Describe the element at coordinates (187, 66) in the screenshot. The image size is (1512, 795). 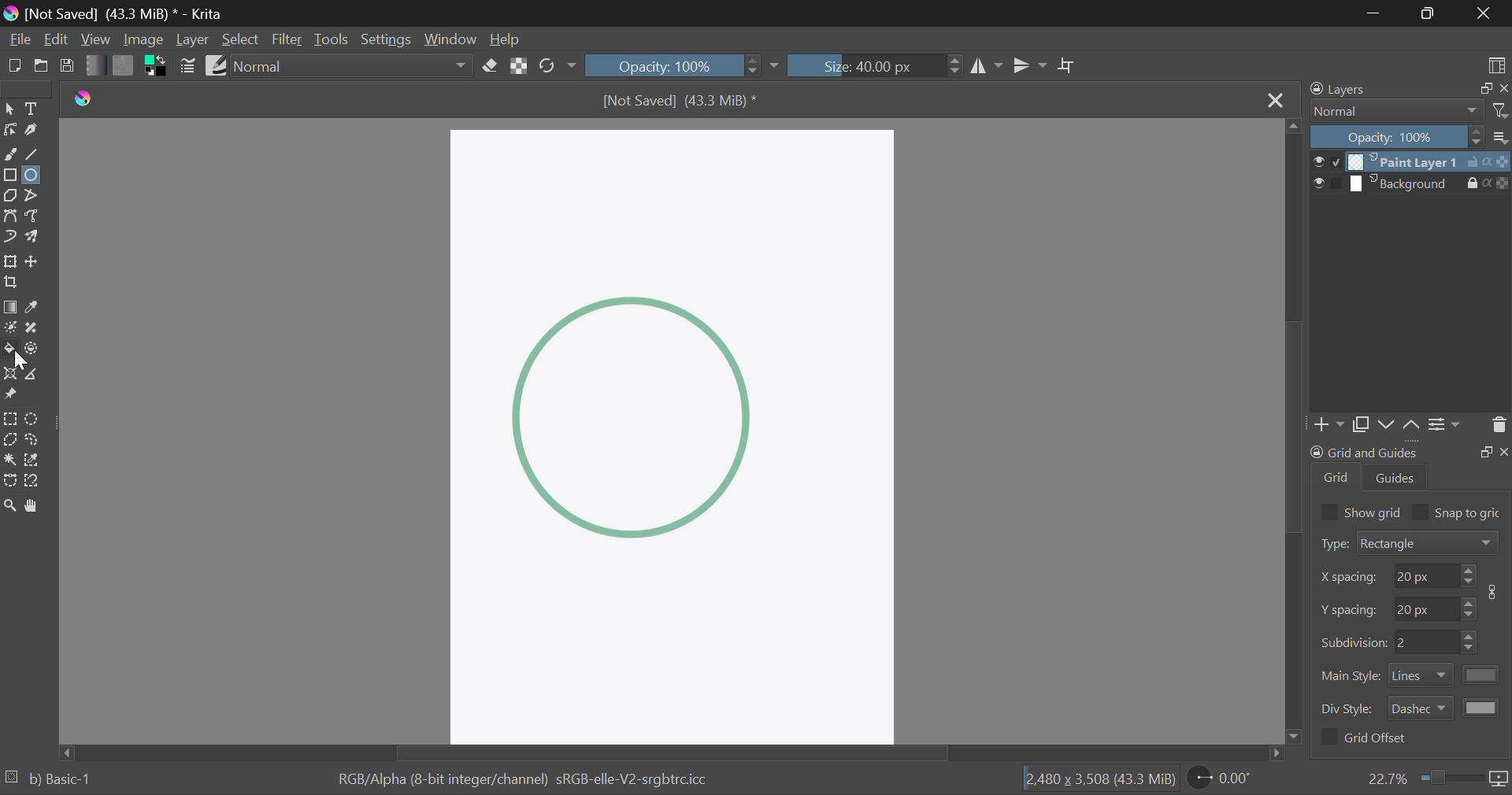
I see `Brush Settings` at that location.